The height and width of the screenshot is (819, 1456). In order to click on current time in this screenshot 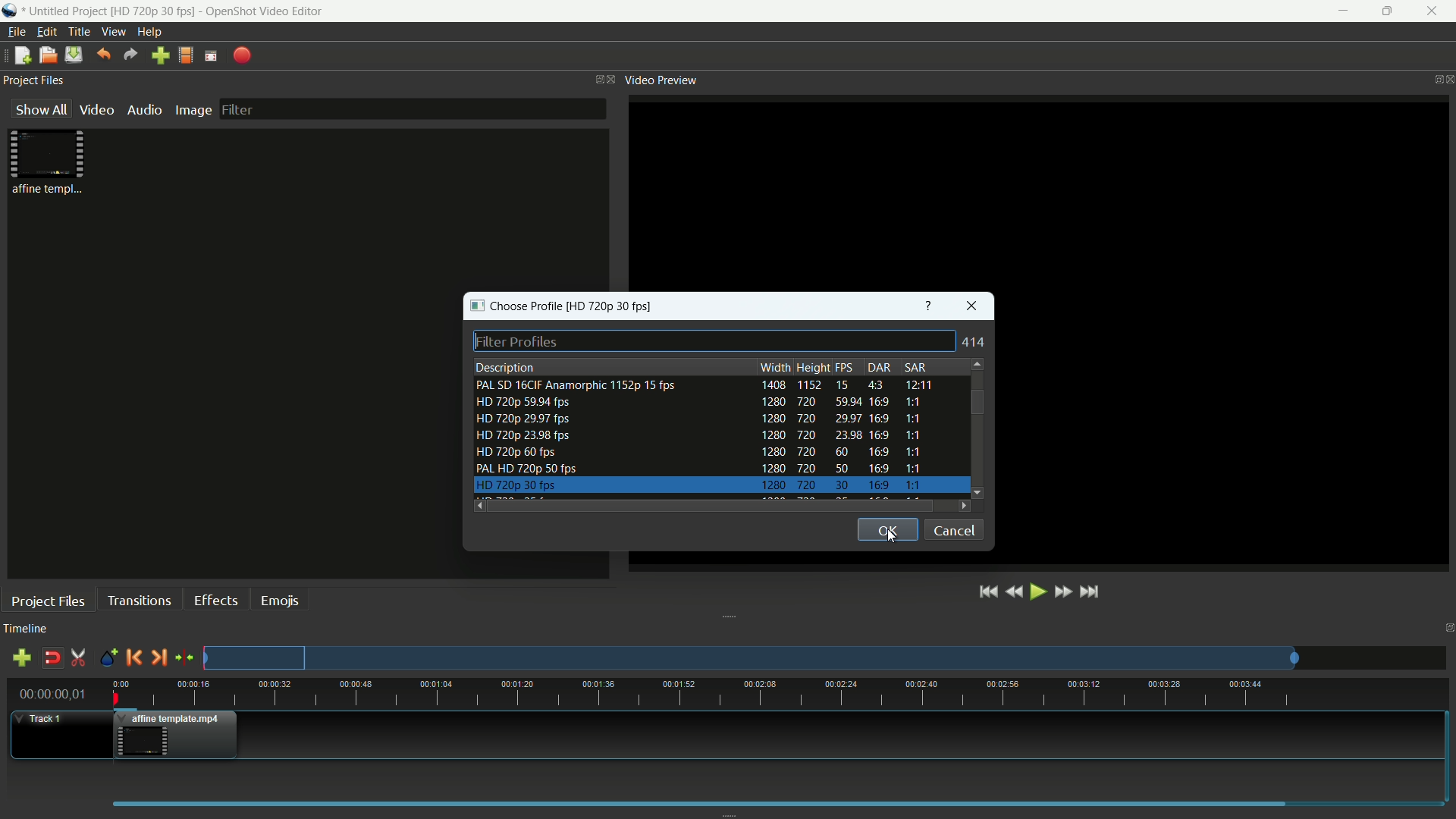, I will do `click(51, 694)`.